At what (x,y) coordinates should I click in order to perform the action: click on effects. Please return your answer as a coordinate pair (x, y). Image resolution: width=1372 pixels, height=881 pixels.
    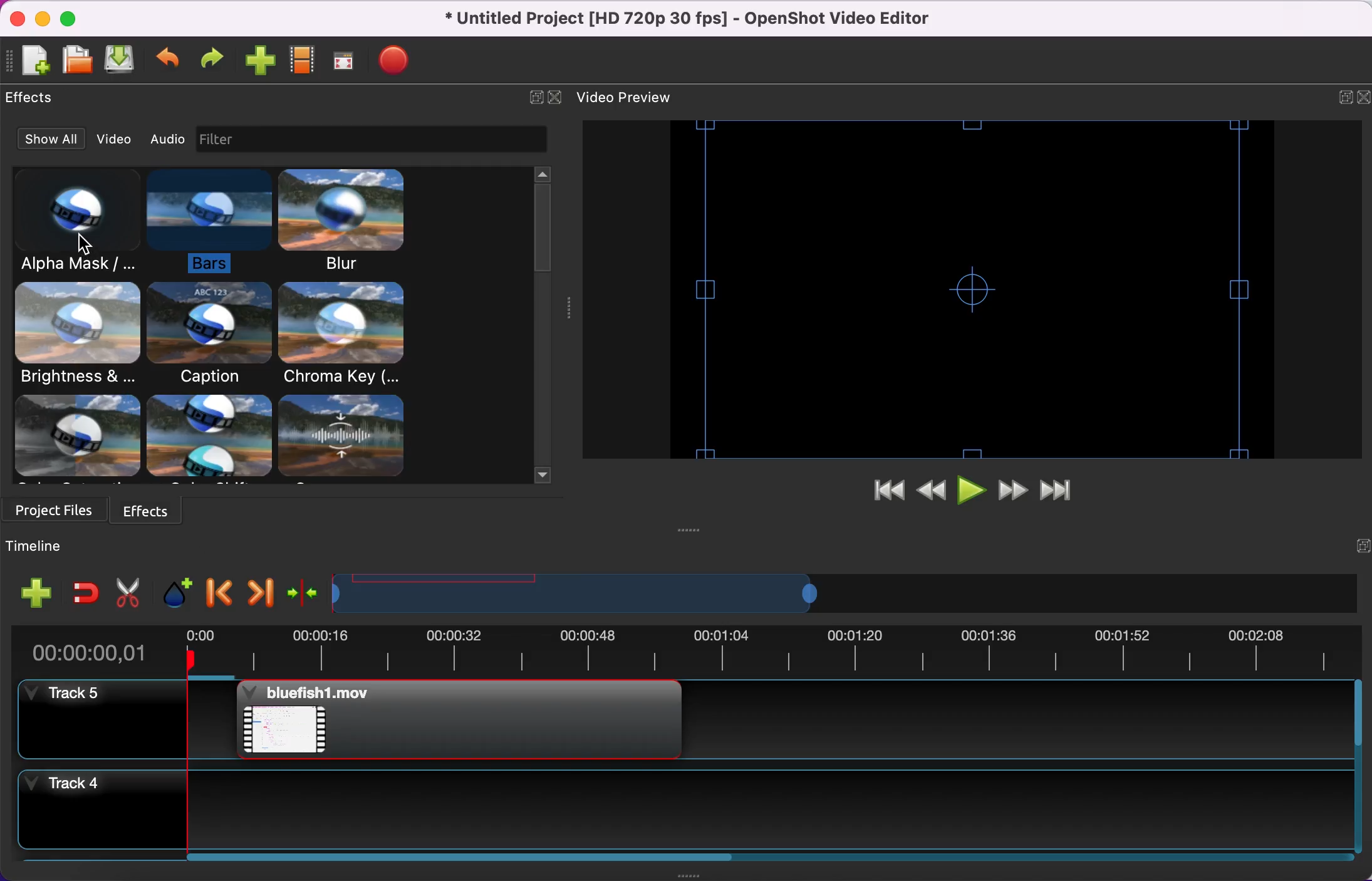
    Looking at the image, I should click on (221, 439).